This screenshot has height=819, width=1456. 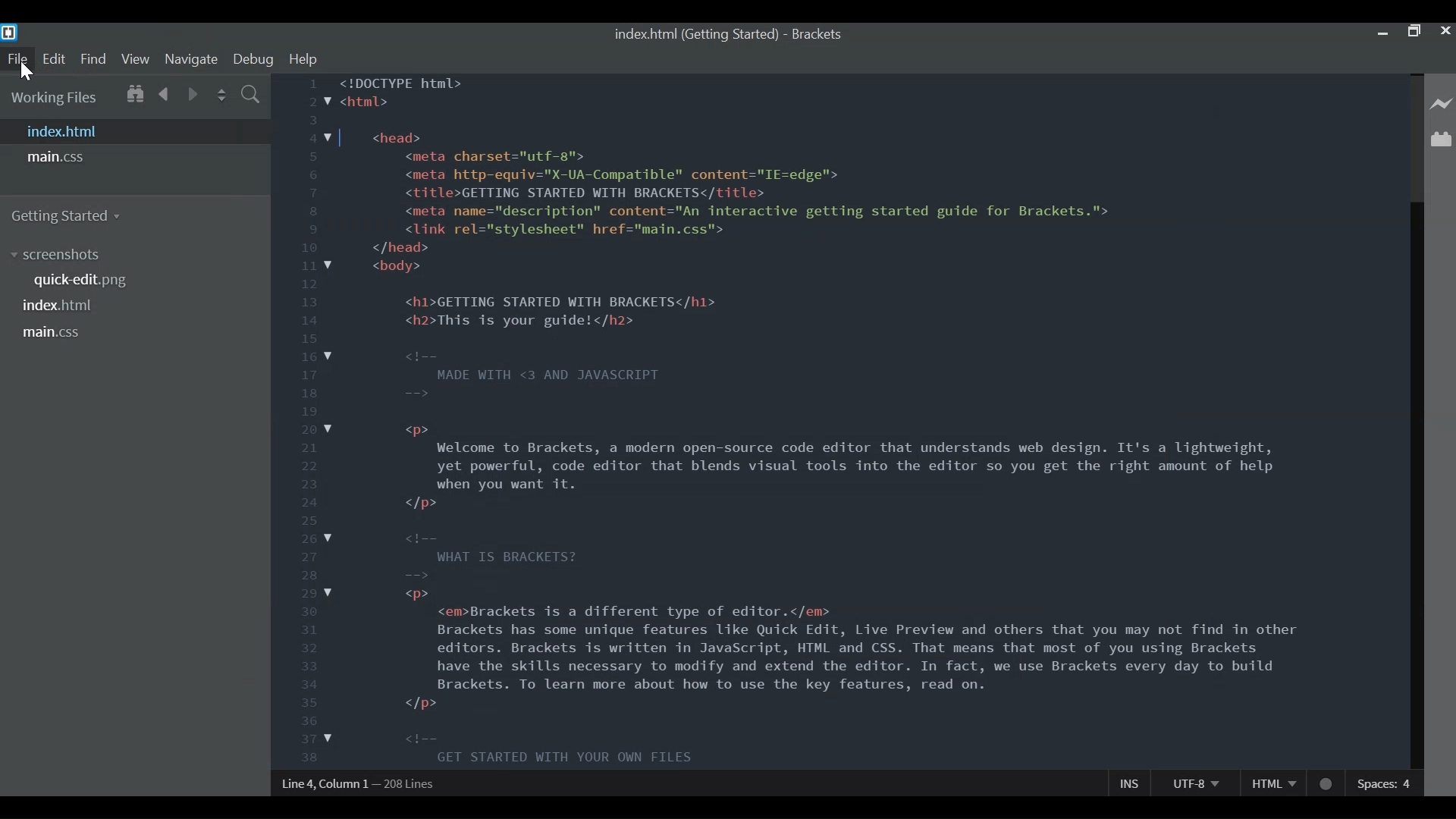 What do you see at coordinates (56, 58) in the screenshot?
I see `Edit` at bounding box center [56, 58].